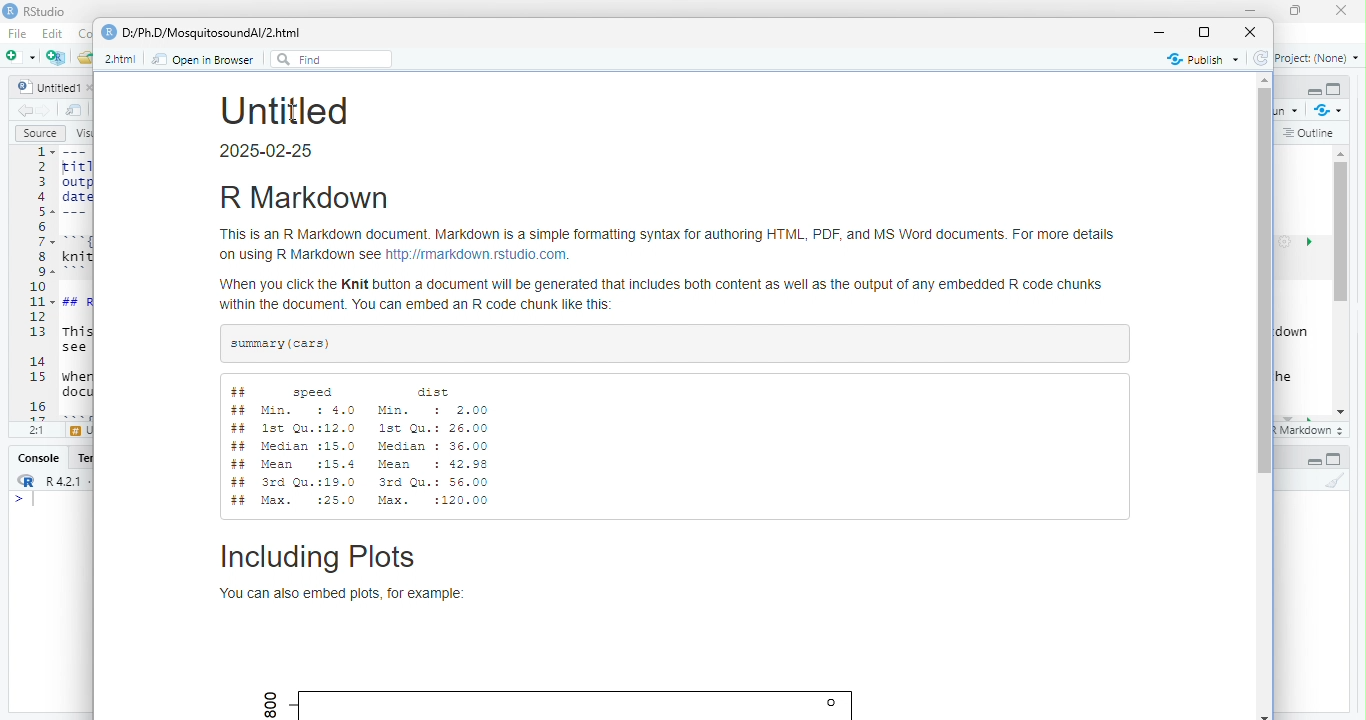 This screenshot has width=1366, height=720. I want to click on maximise, so click(1203, 32).